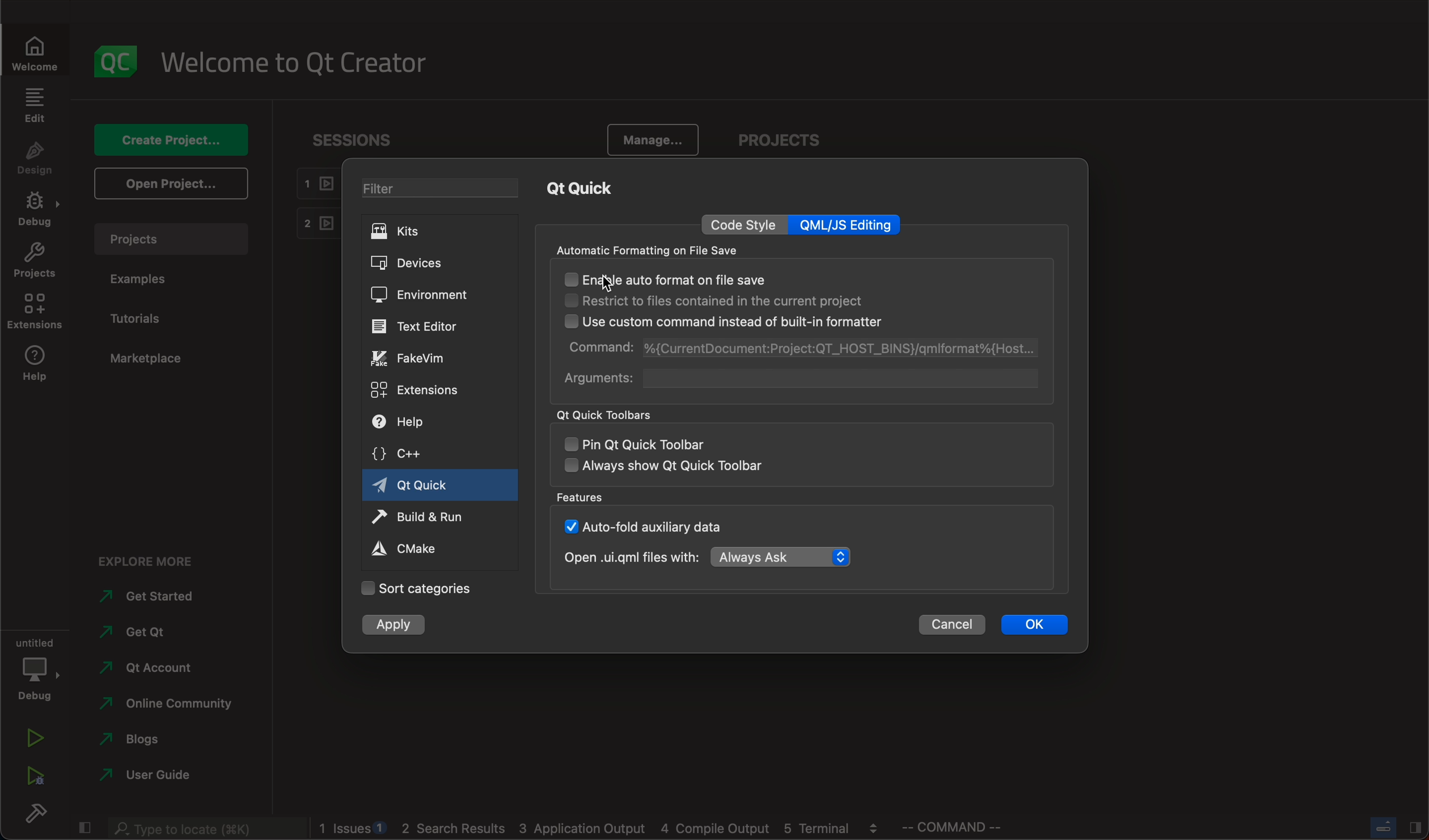 Image resolution: width=1429 pixels, height=840 pixels. I want to click on logs, so click(603, 830).